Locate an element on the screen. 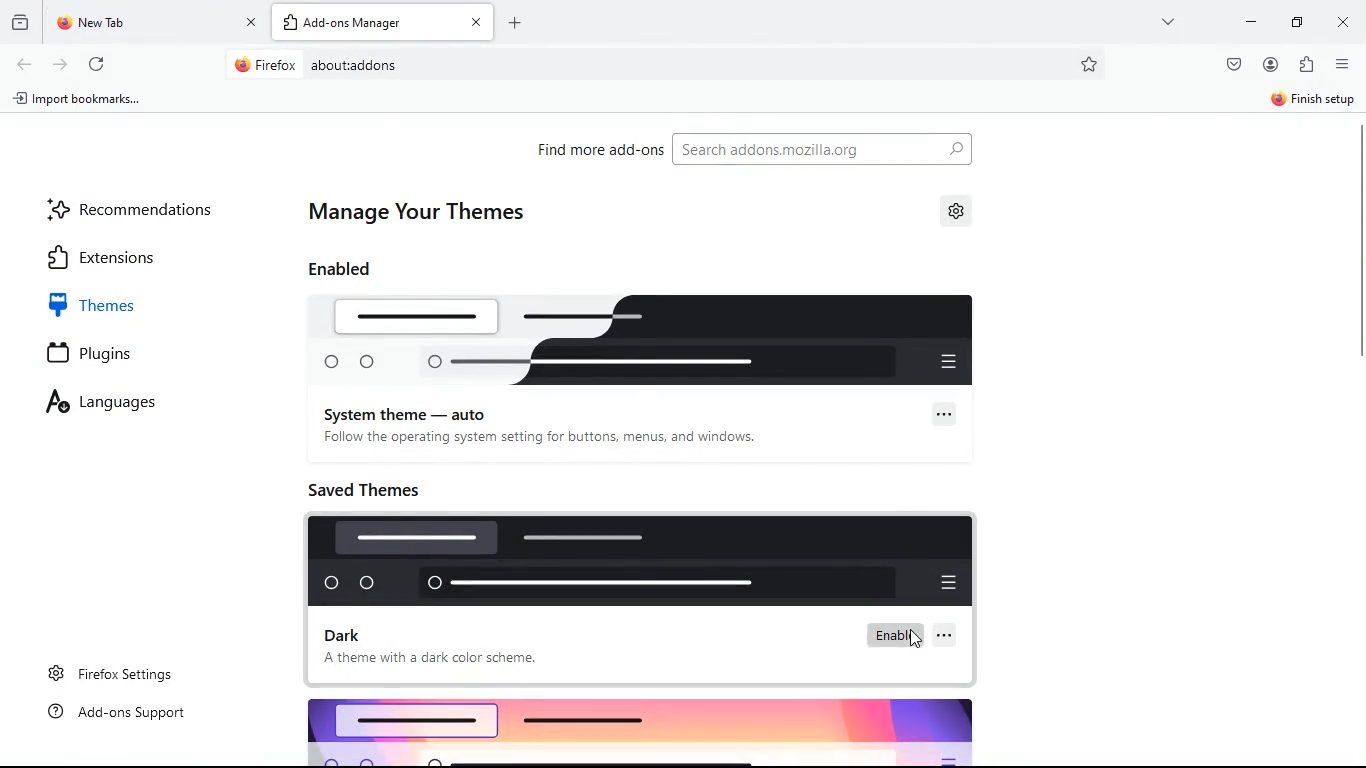 This screenshot has height=768, width=1366. more is located at coordinates (1169, 22).